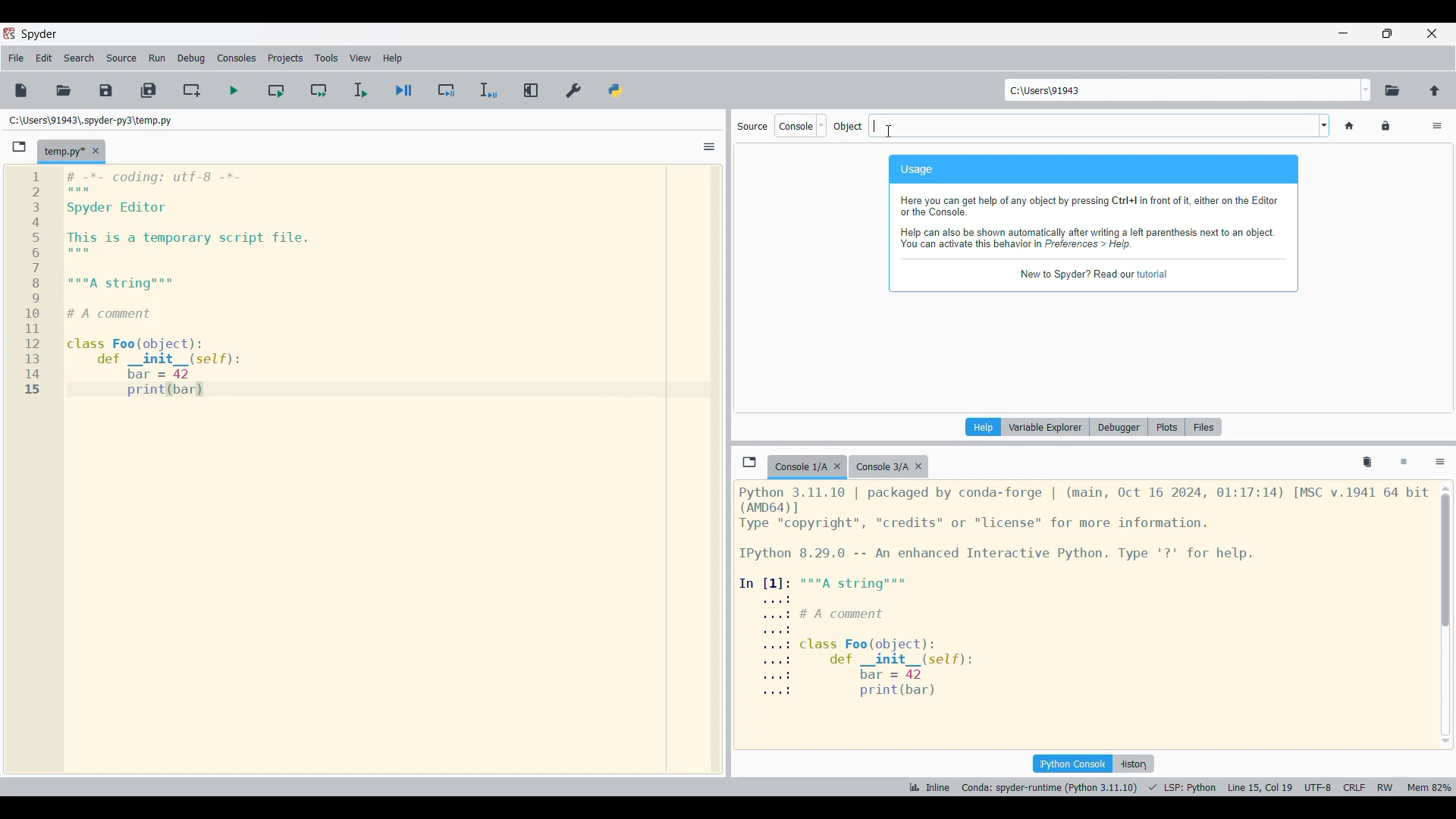 The width and height of the screenshot is (1456, 819). I want to click on File location, so click(91, 121).